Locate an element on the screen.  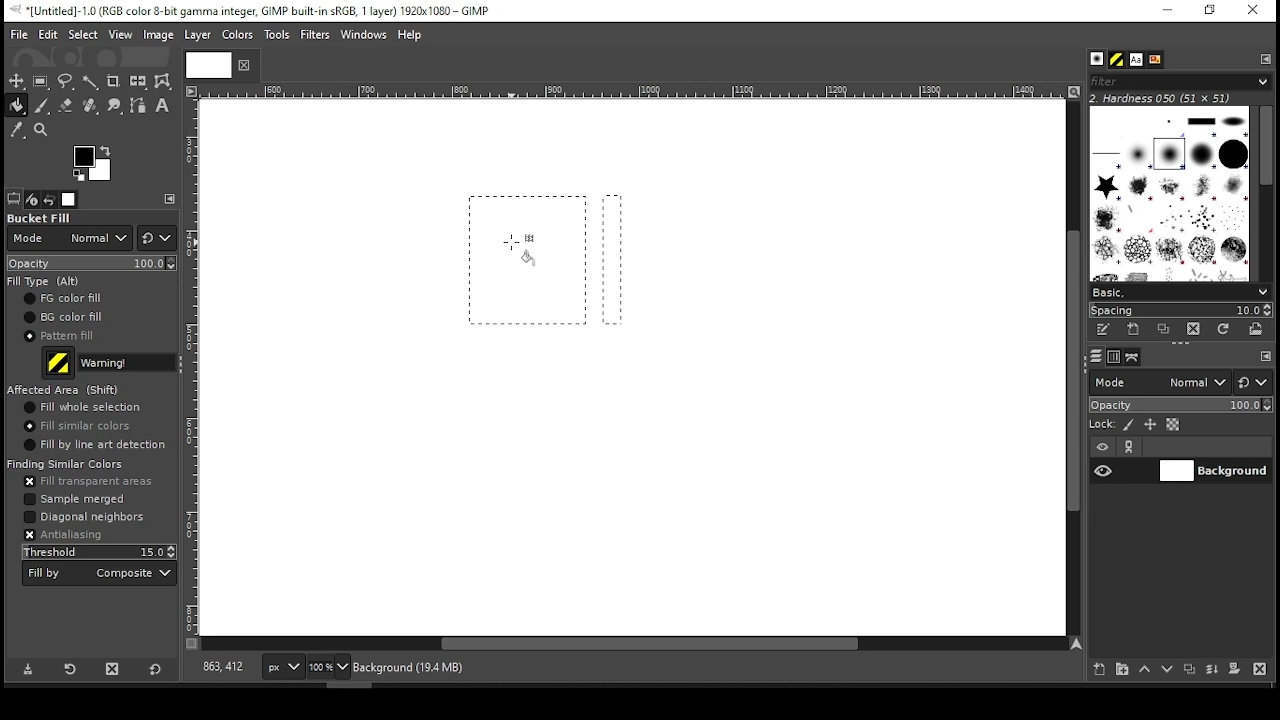
 is located at coordinates (205, 64).